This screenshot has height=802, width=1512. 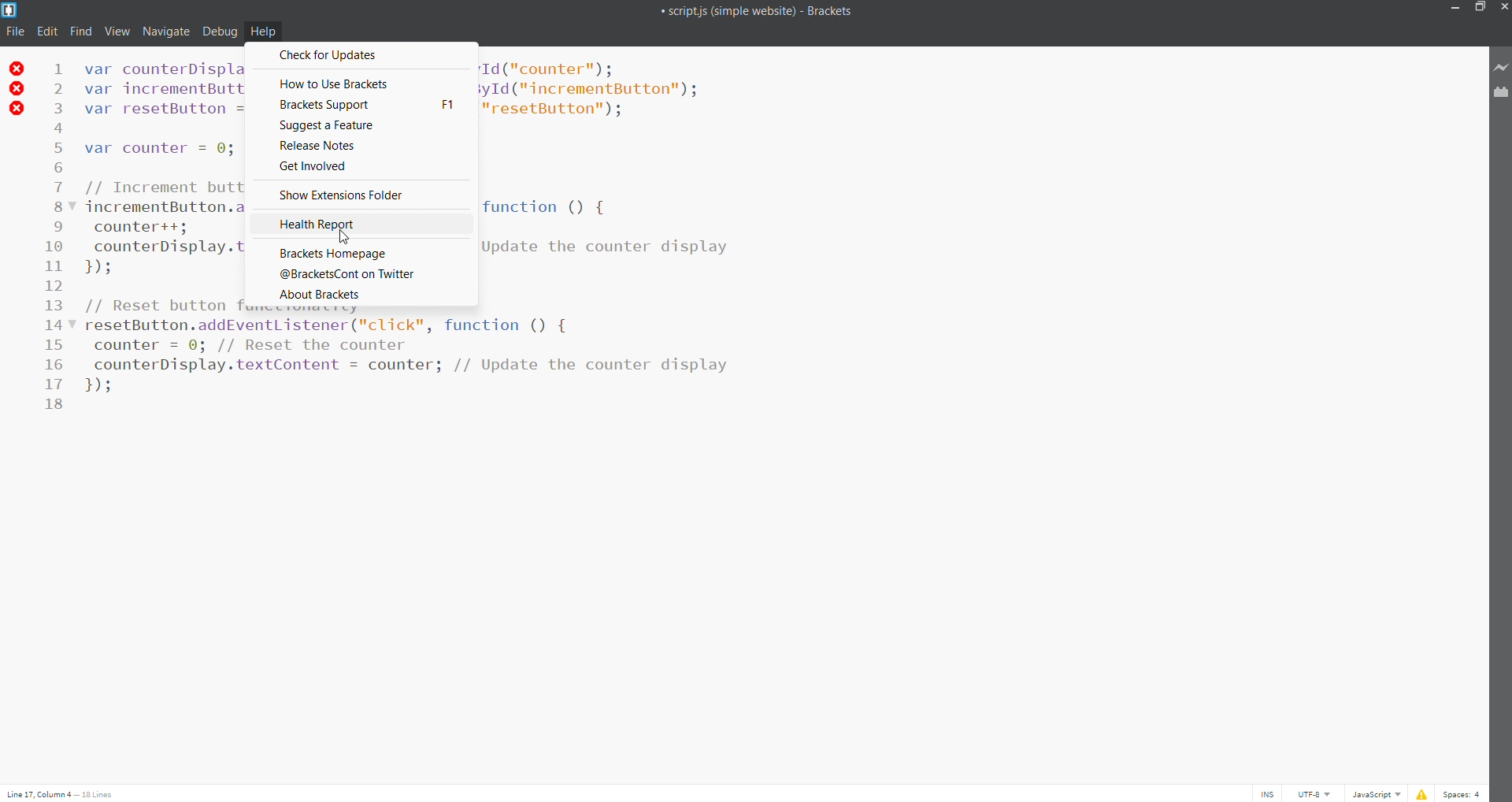 I want to click on find, so click(x=78, y=32).